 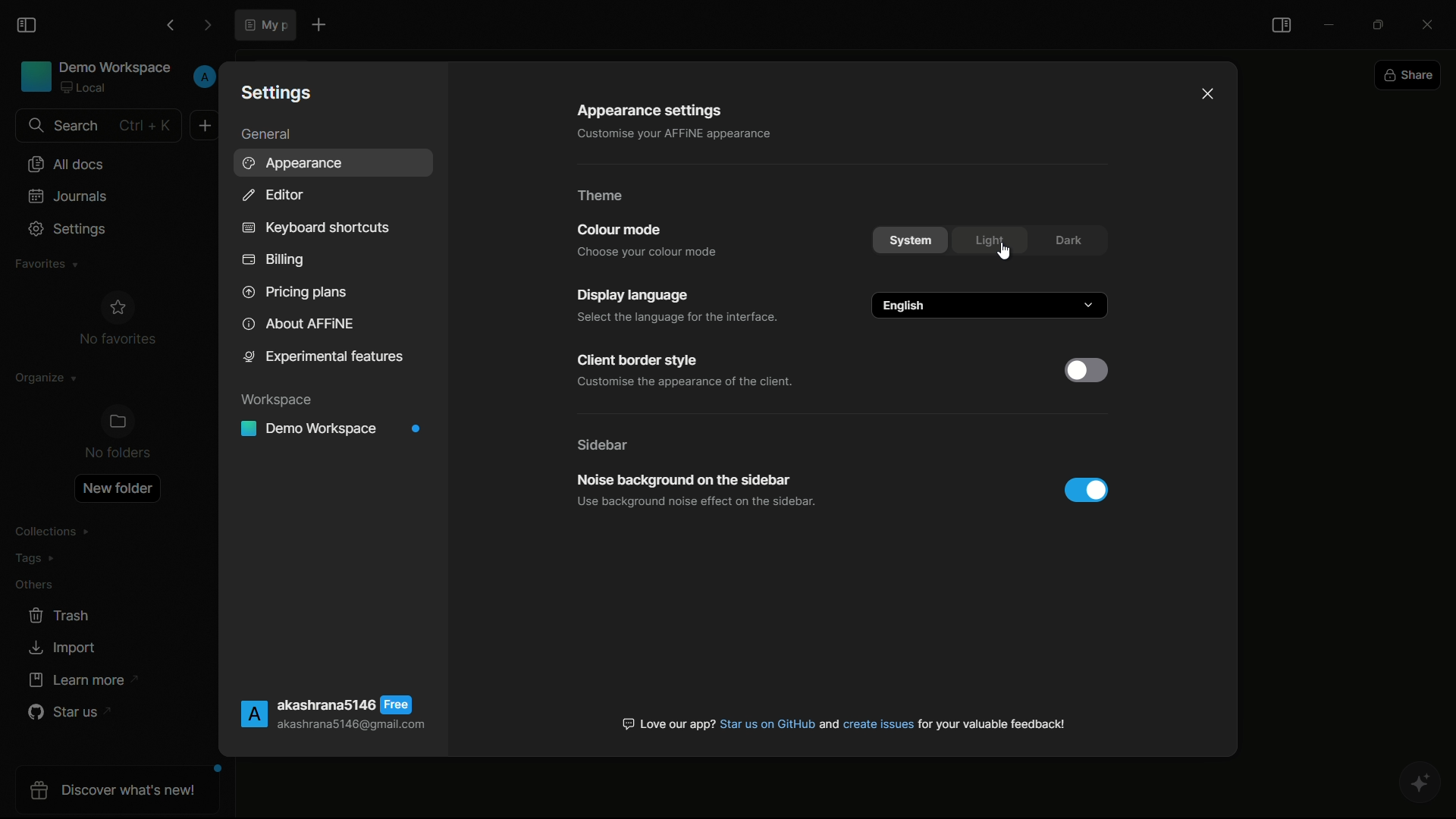 I want to click on search bar, so click(x=96, y=126).